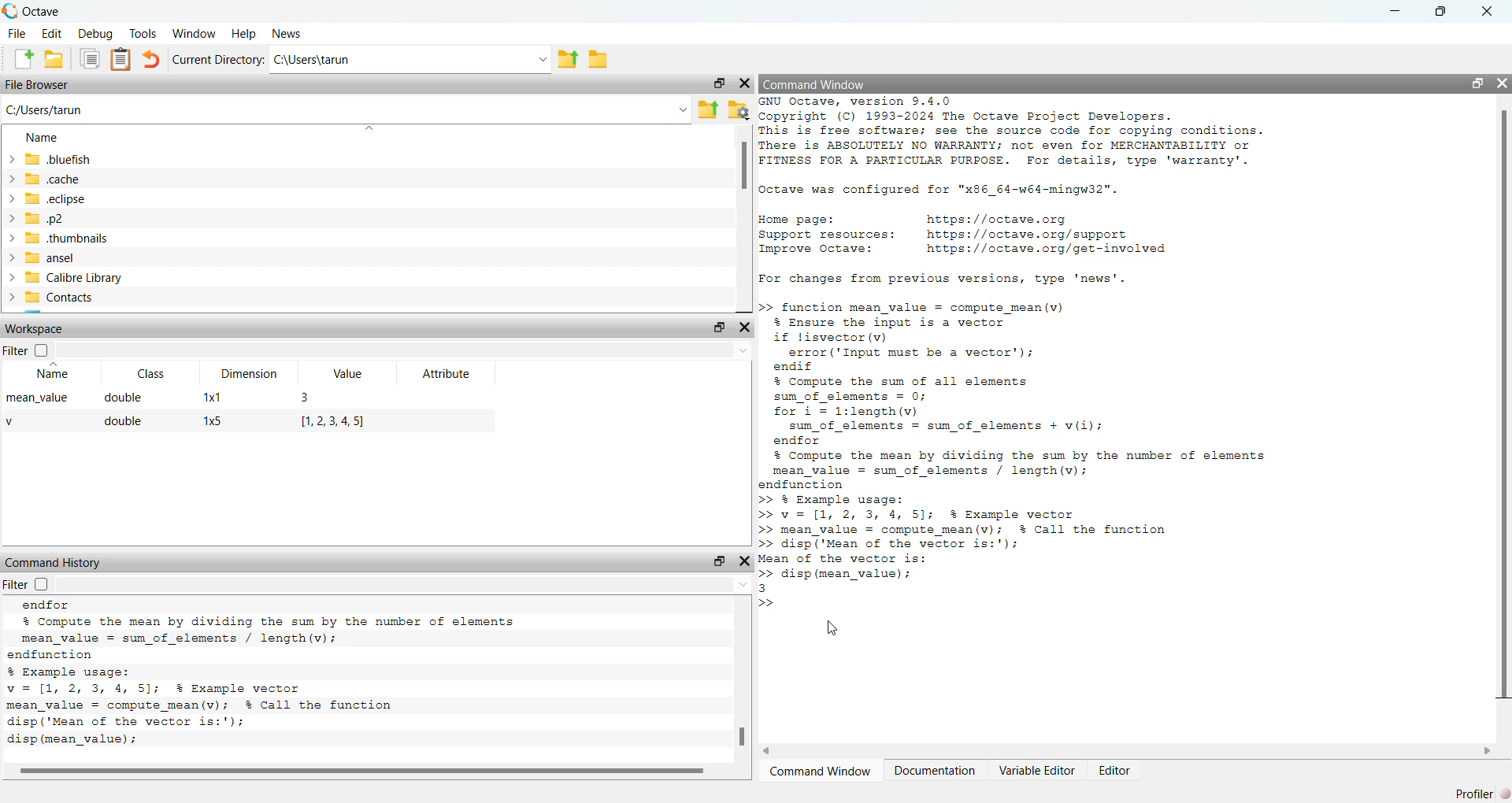 The height and width of the screenshot is (803, 1512). I want to click on scroll bar, so click(744, 738).